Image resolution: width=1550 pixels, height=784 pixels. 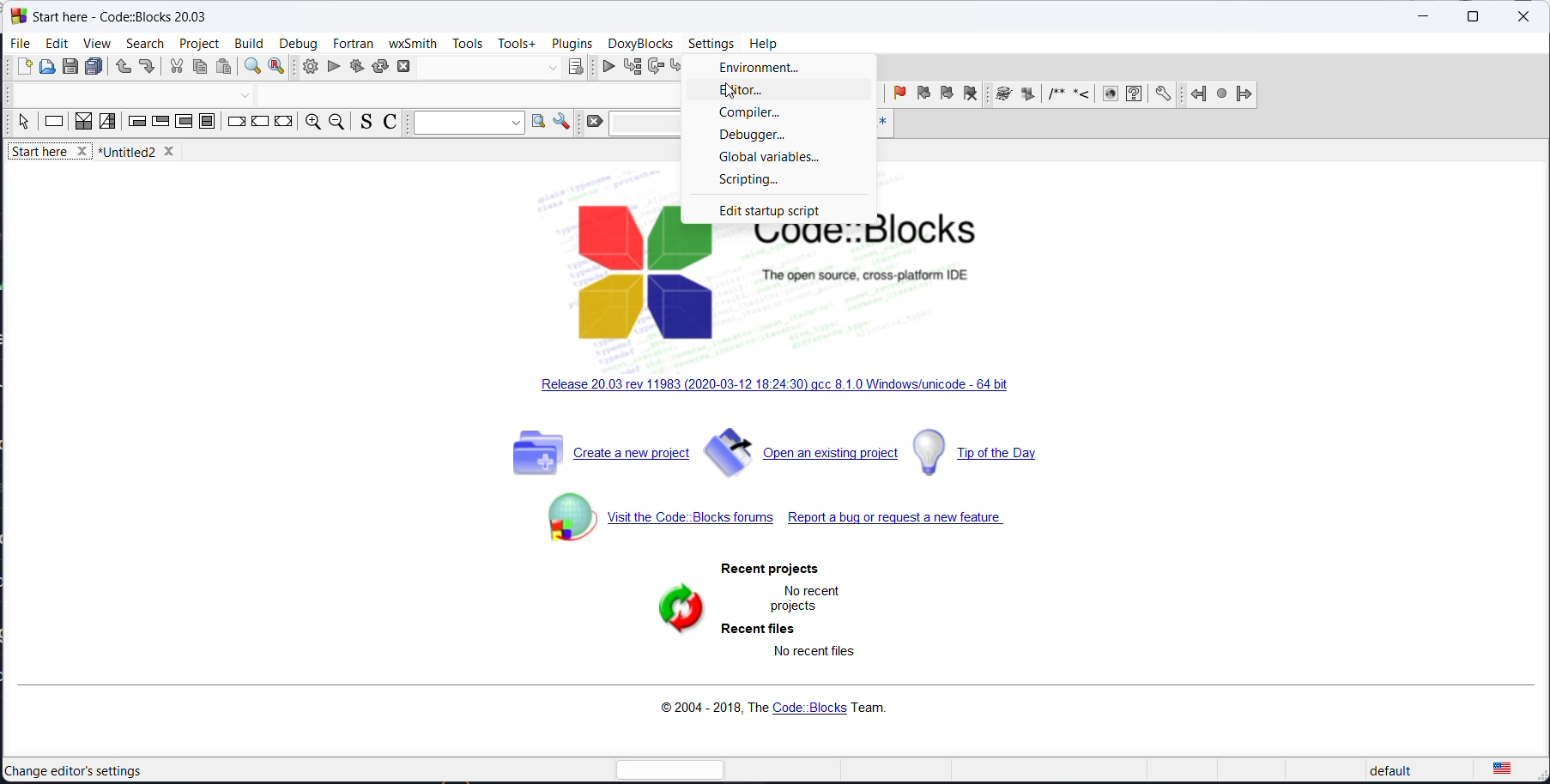 What do you see at coordinates (771, 93) in the screenshot?
I see `editor` at bounding box center [771, 93].